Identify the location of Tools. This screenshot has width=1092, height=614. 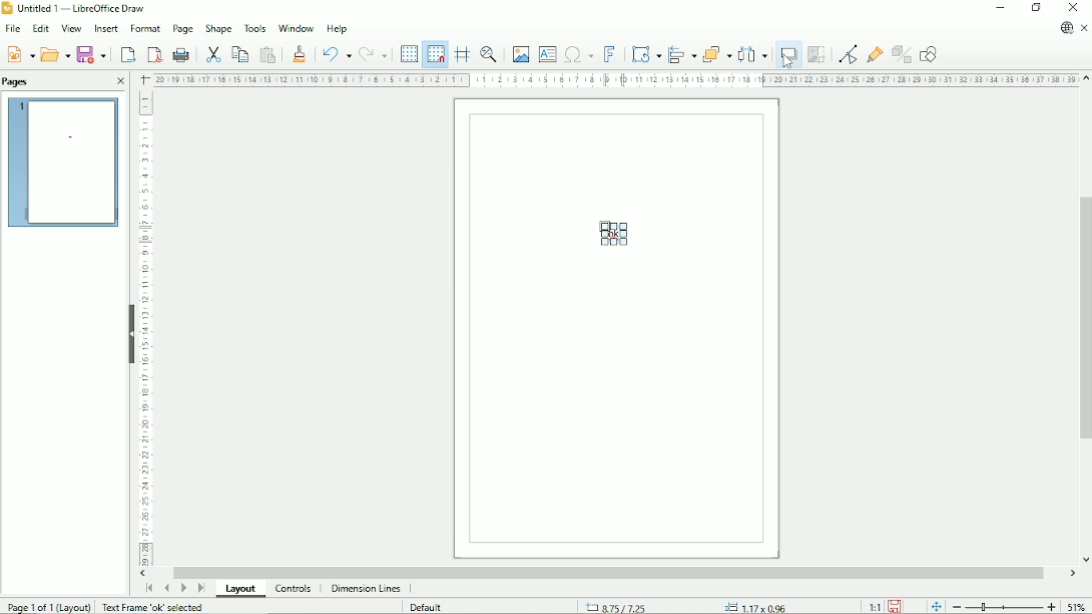
(254, 28).